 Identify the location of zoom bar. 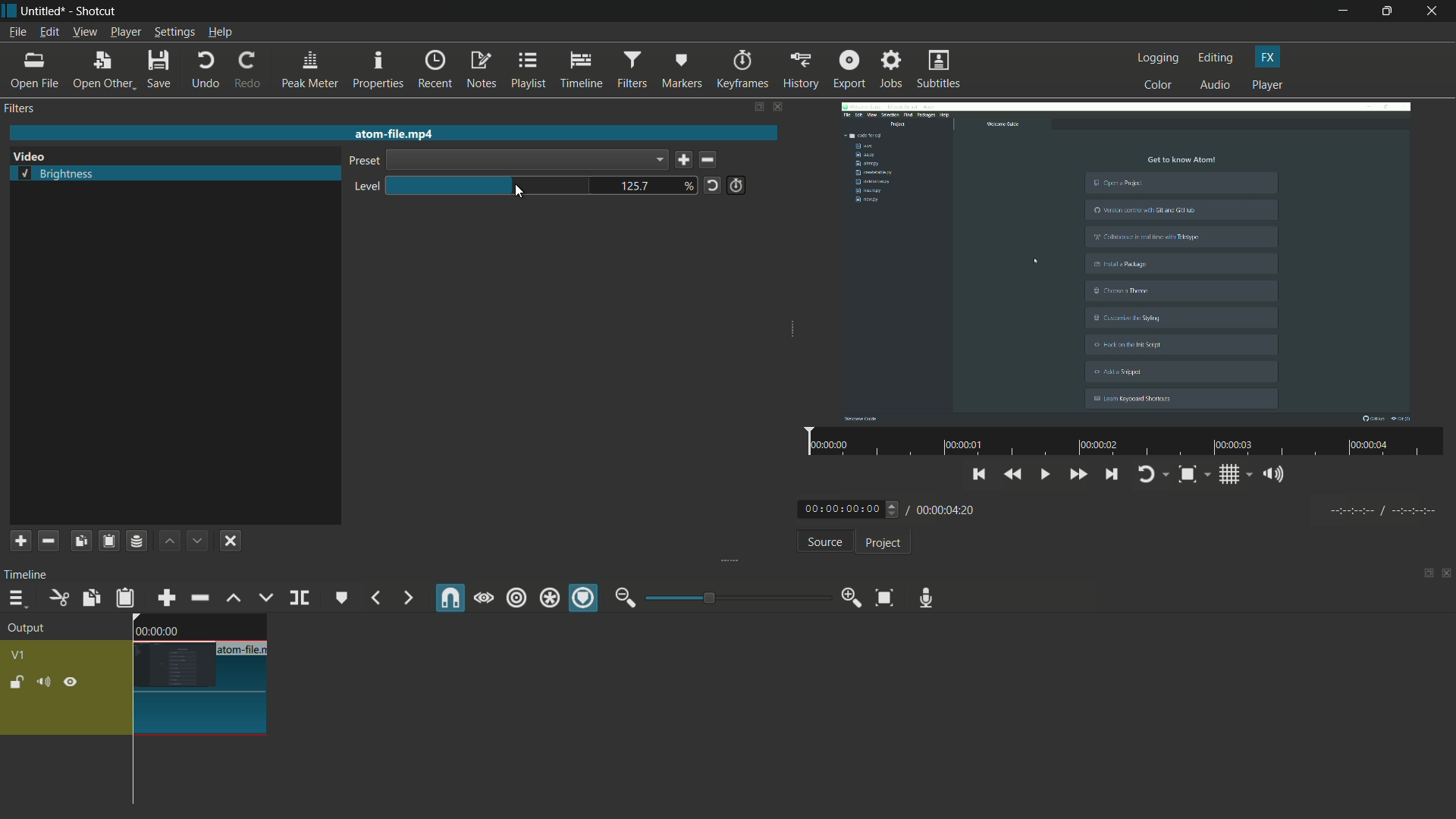
(732, 597).